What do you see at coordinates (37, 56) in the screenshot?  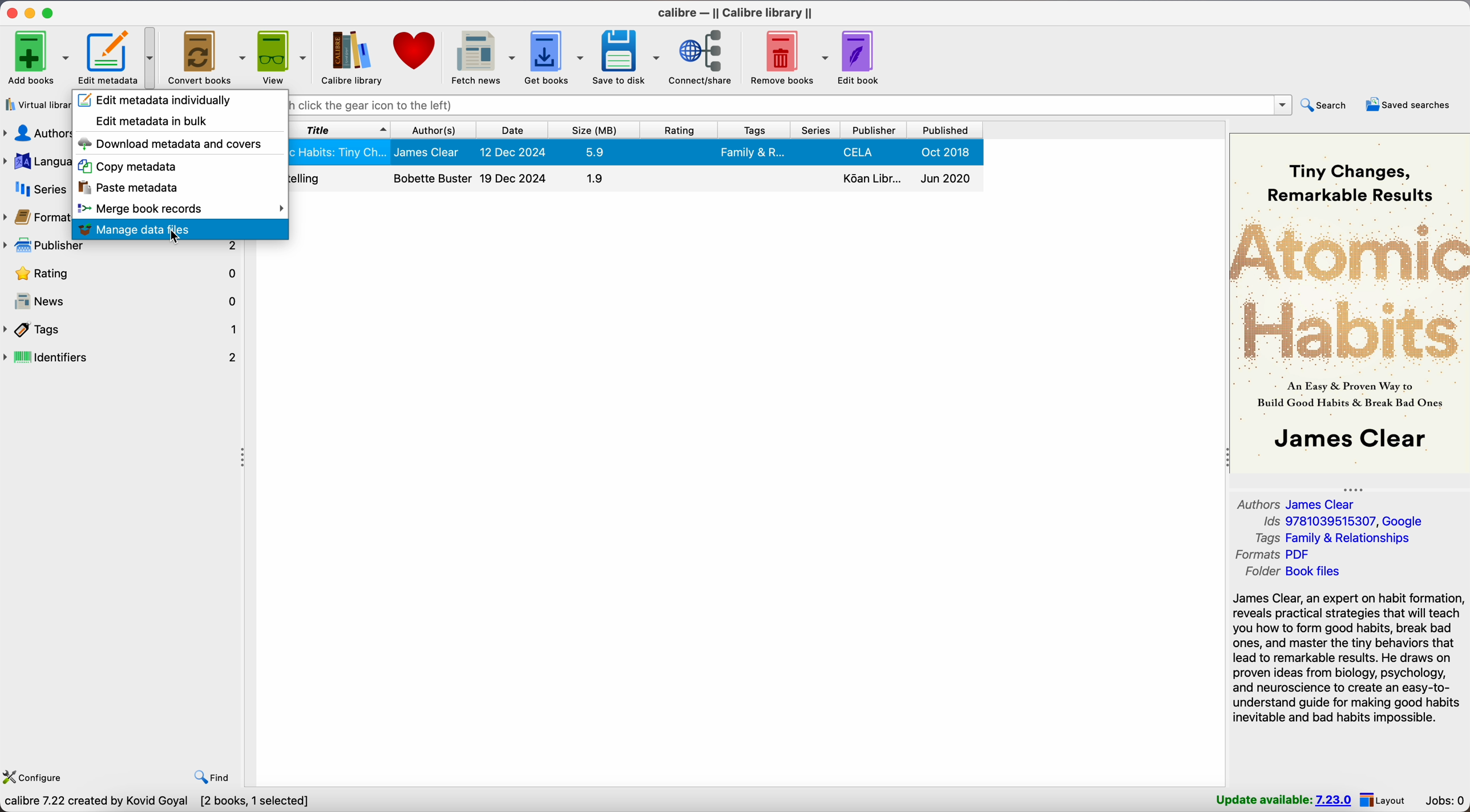 I see `Add books` at bounding box center [37, 56].